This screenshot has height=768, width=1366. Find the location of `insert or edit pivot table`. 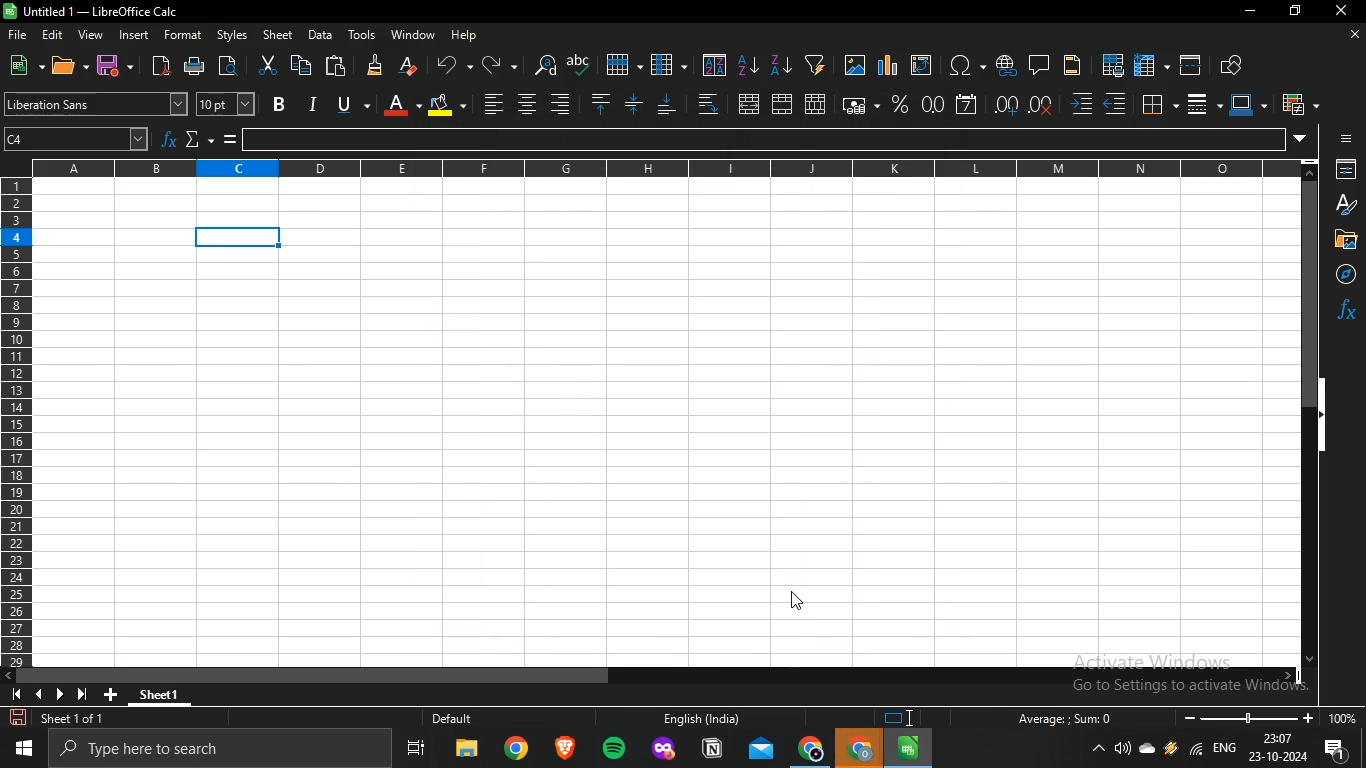

insert or edit pivot table is located at coordinates (920, 64).